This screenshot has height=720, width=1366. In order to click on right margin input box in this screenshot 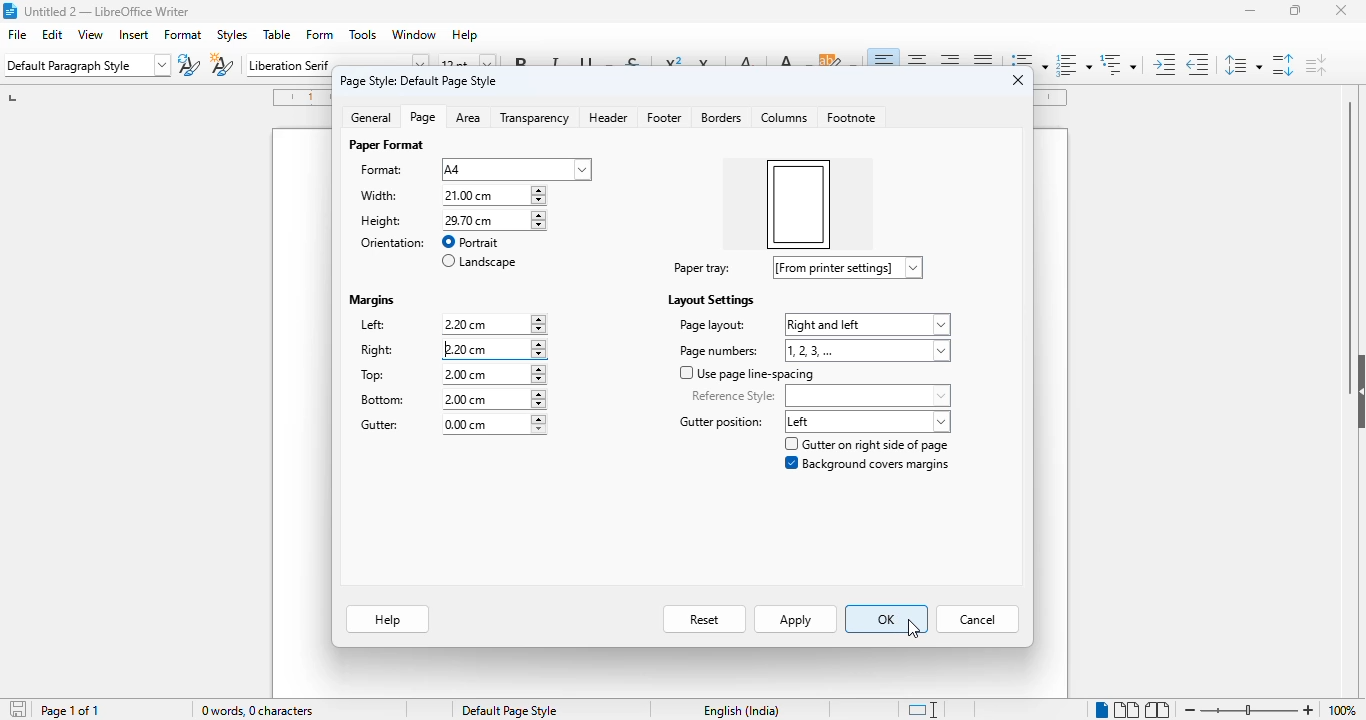, I will do `click(480, 348)`.